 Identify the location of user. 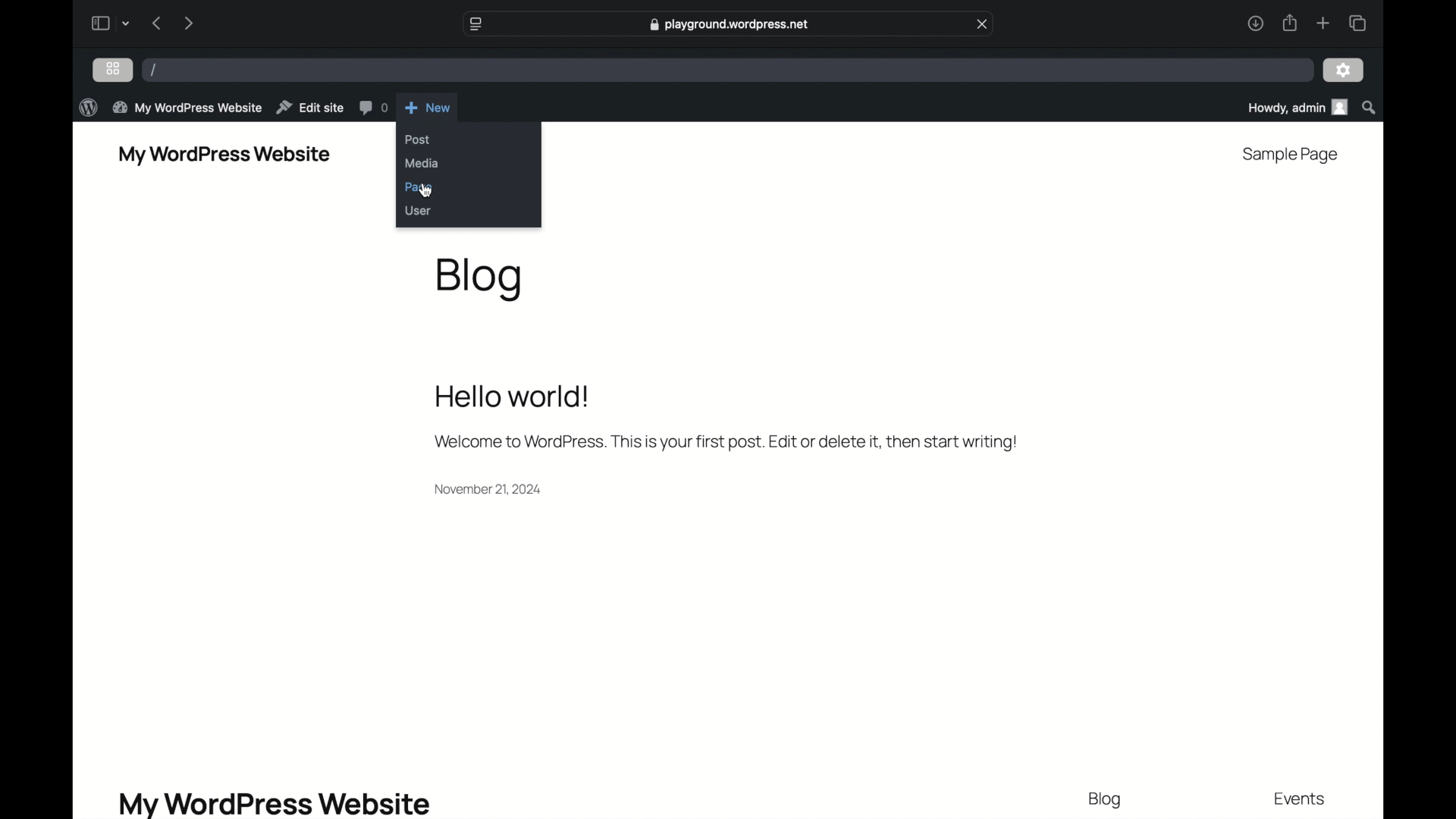
(417, 210).